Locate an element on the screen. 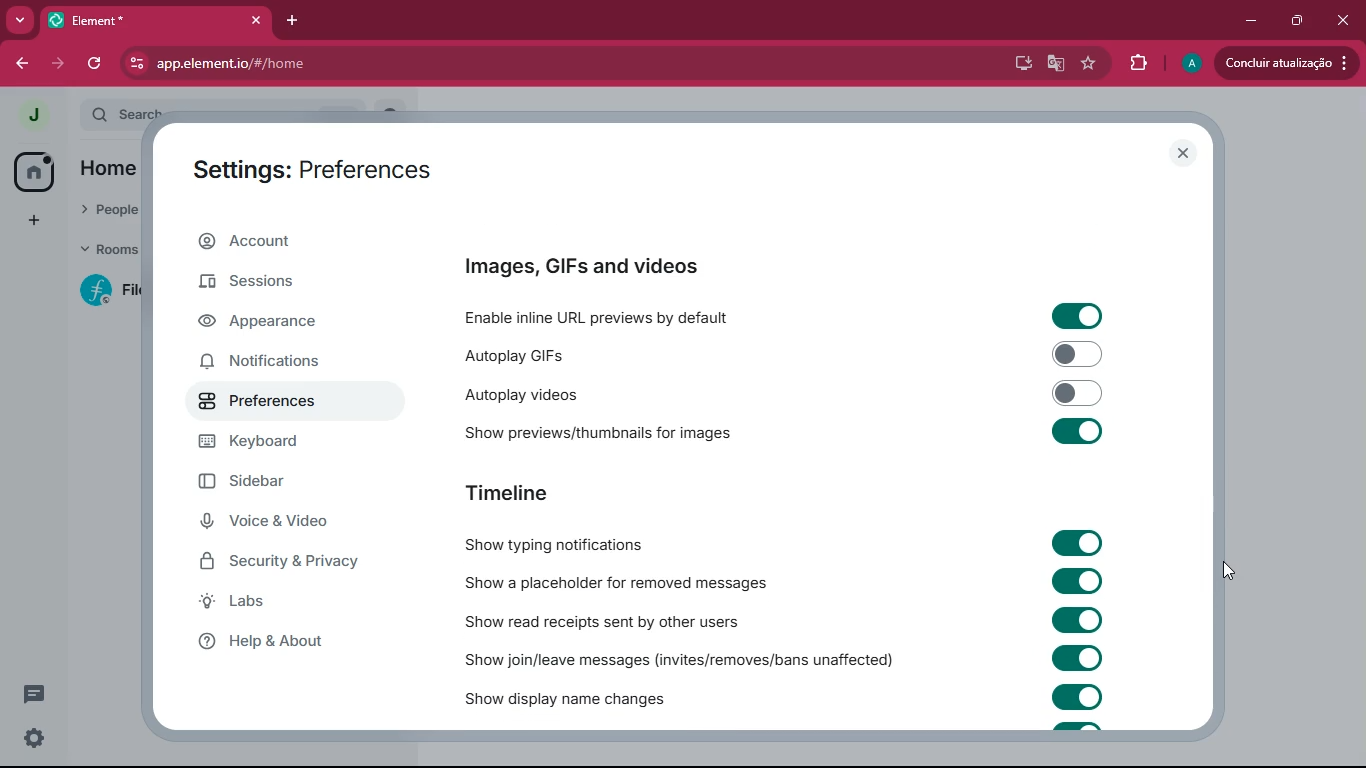  appearance is located at coordinates (273, 326).